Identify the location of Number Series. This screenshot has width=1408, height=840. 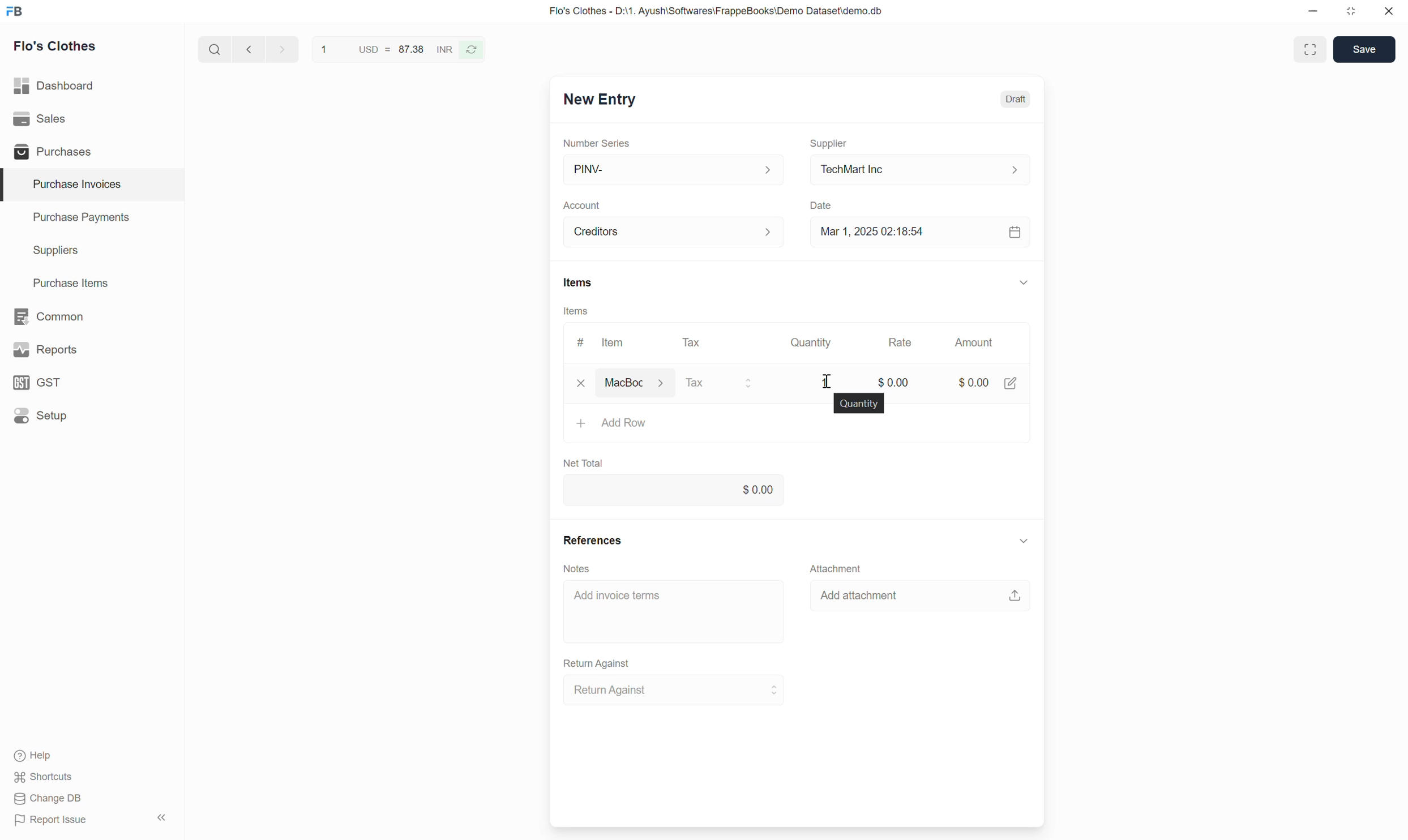
(597, 143).